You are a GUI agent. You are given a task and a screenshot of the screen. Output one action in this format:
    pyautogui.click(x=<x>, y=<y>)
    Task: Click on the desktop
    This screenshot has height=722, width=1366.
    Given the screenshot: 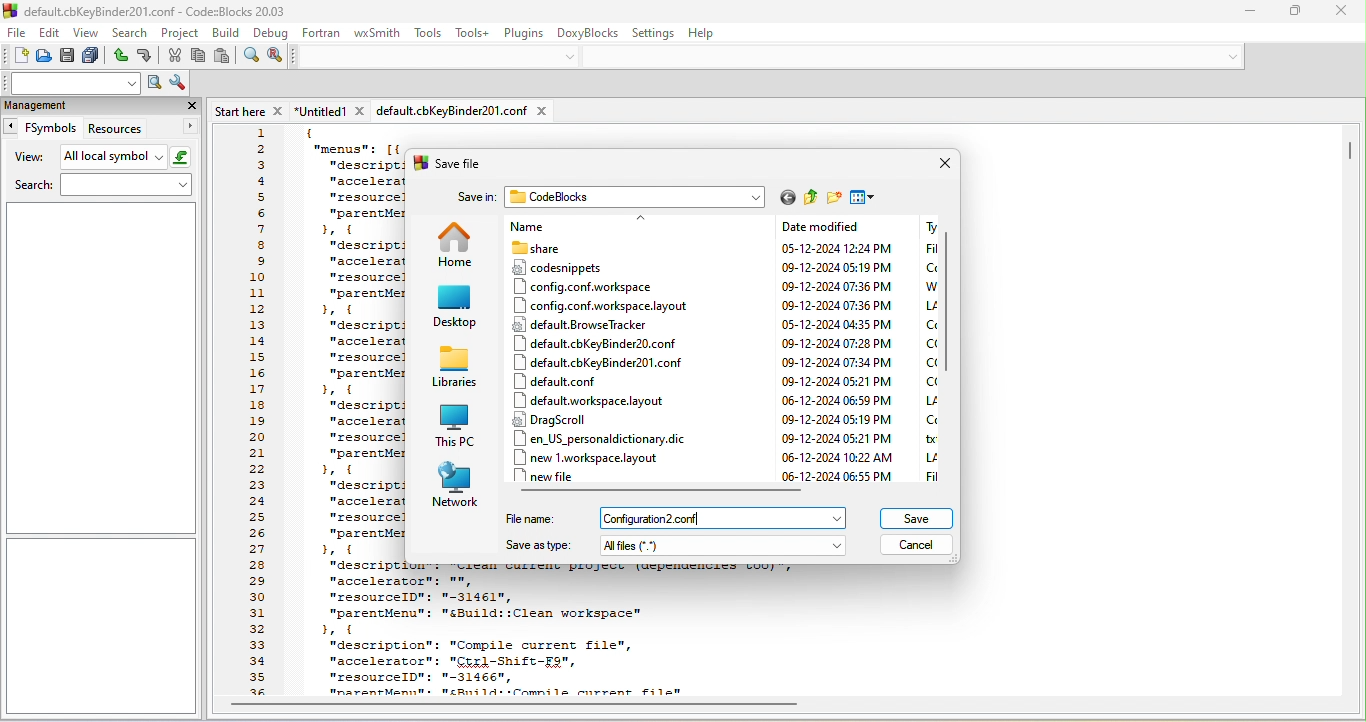 What is the action you would take?
    pyautogui.click(x=456, y=308)
    